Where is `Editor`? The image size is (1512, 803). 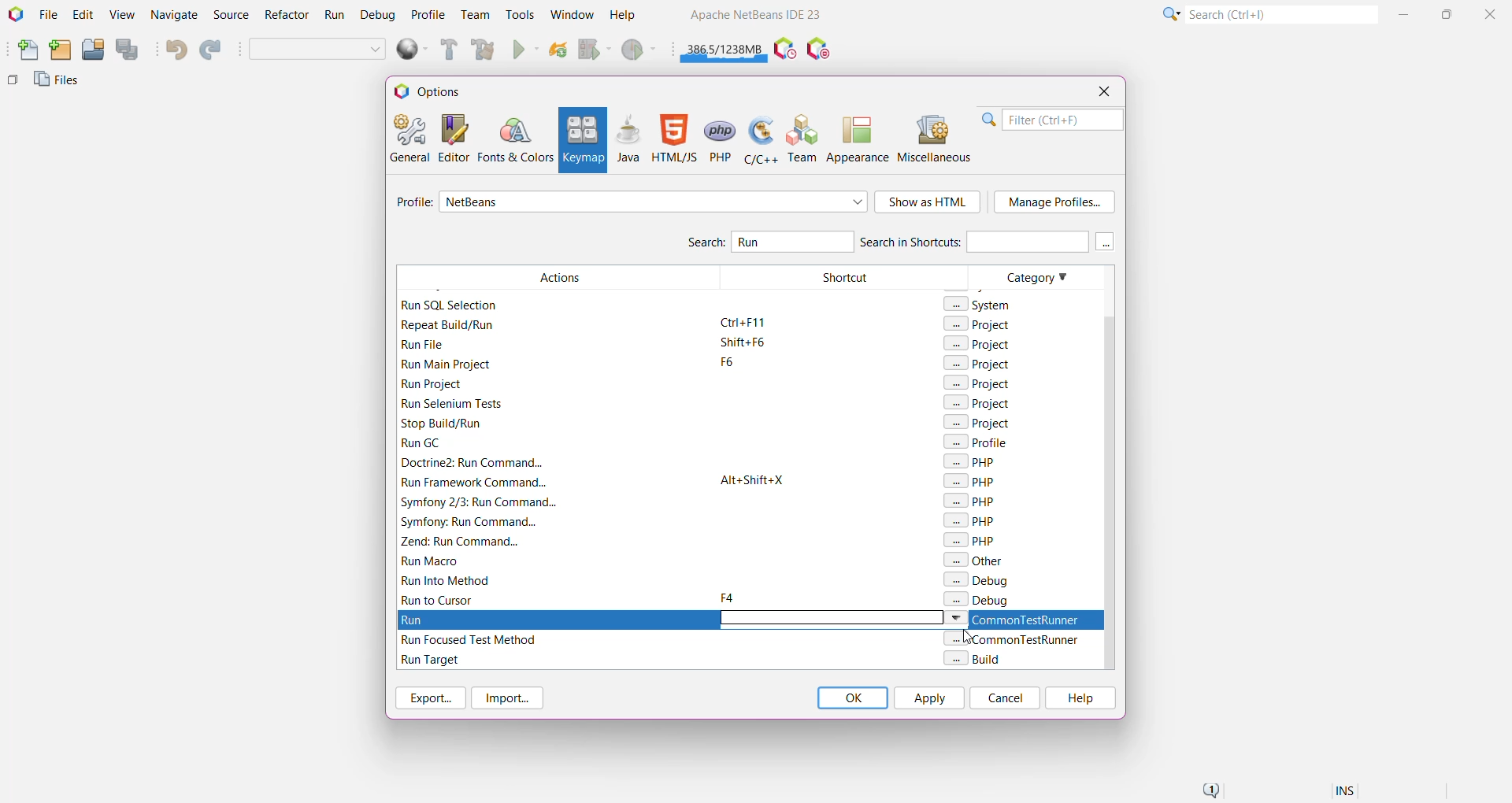 Editor is located at coordinates (450, 138).